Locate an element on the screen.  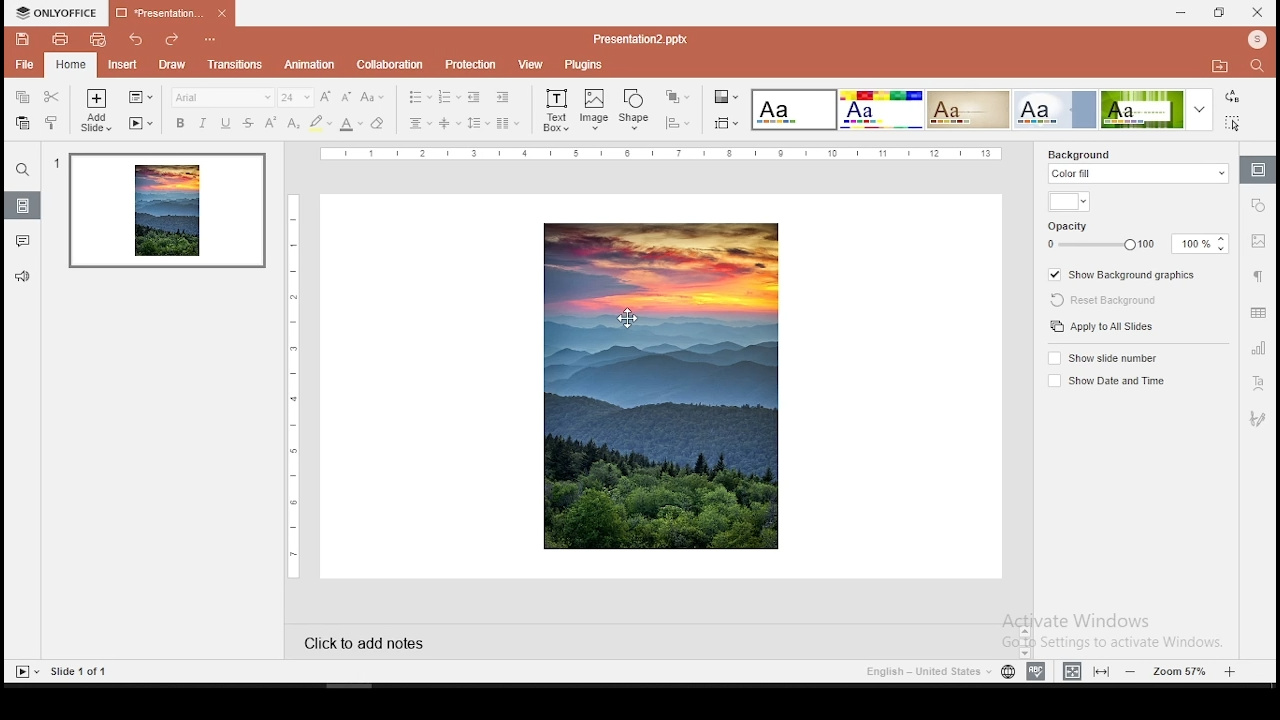
plugins is located at coordinates (588, 64).